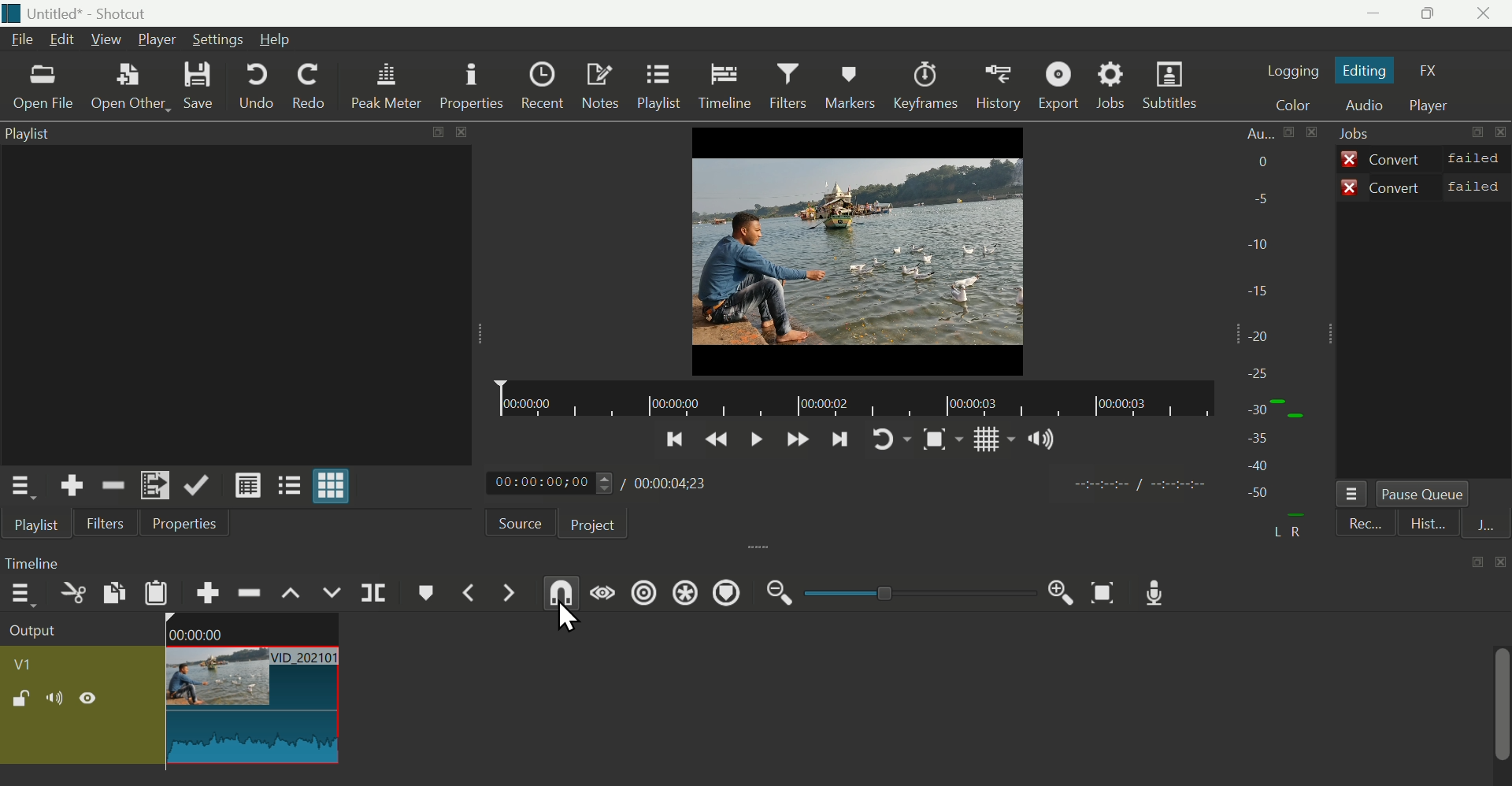  What do you see at coordinates (565, 620) in the screenshot?
I see `cursor` at bounding box center [565, 620].